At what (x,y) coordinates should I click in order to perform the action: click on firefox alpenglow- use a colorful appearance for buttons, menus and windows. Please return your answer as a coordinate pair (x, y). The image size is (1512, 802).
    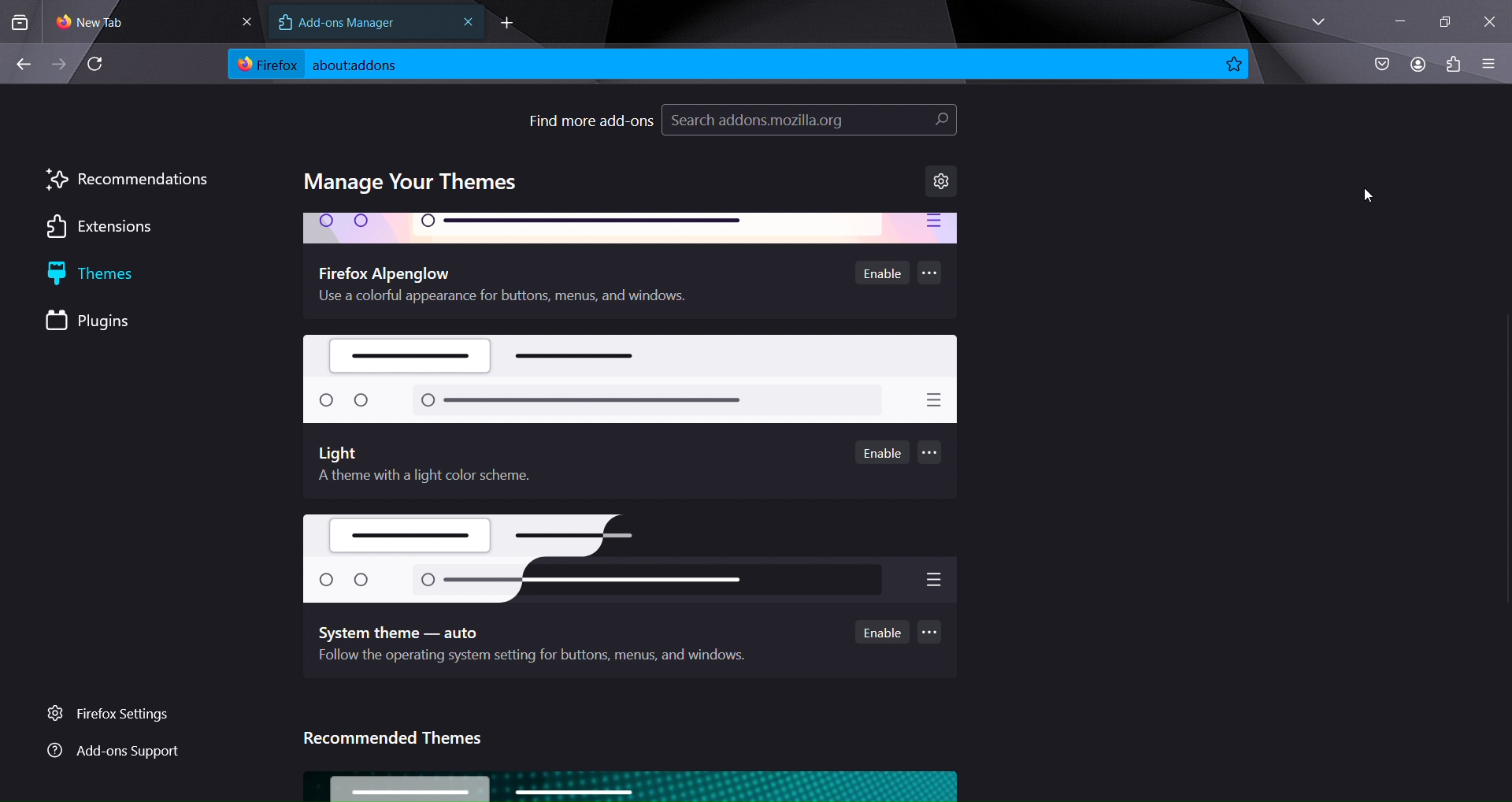
    Looking at the image, I should click on (528, 284).